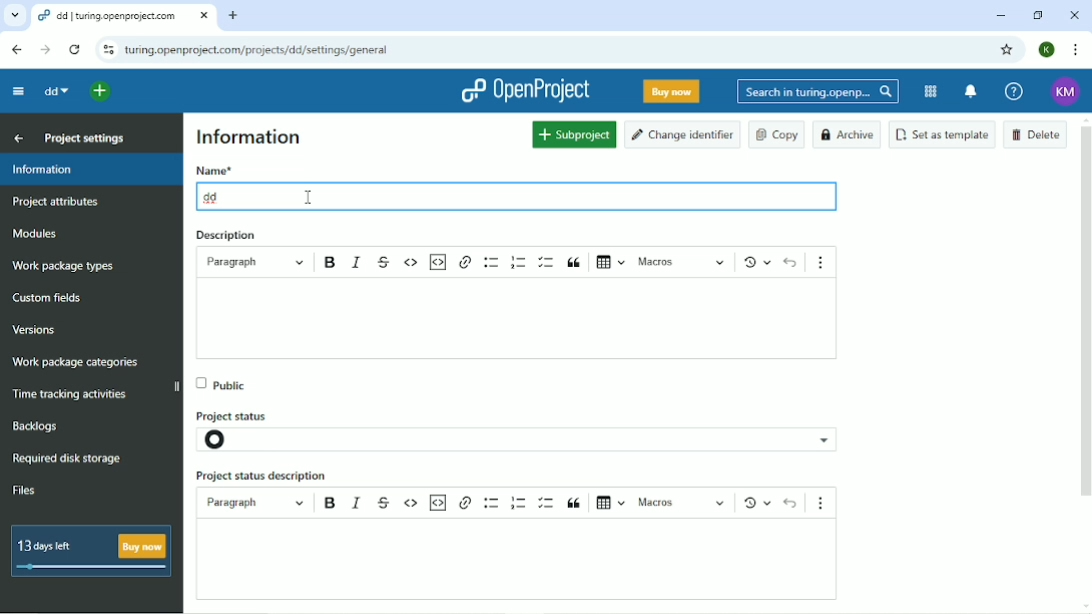 The width and height of the screenshot is (1092, 614). I want to click on Search tabs, so click(13, 15).